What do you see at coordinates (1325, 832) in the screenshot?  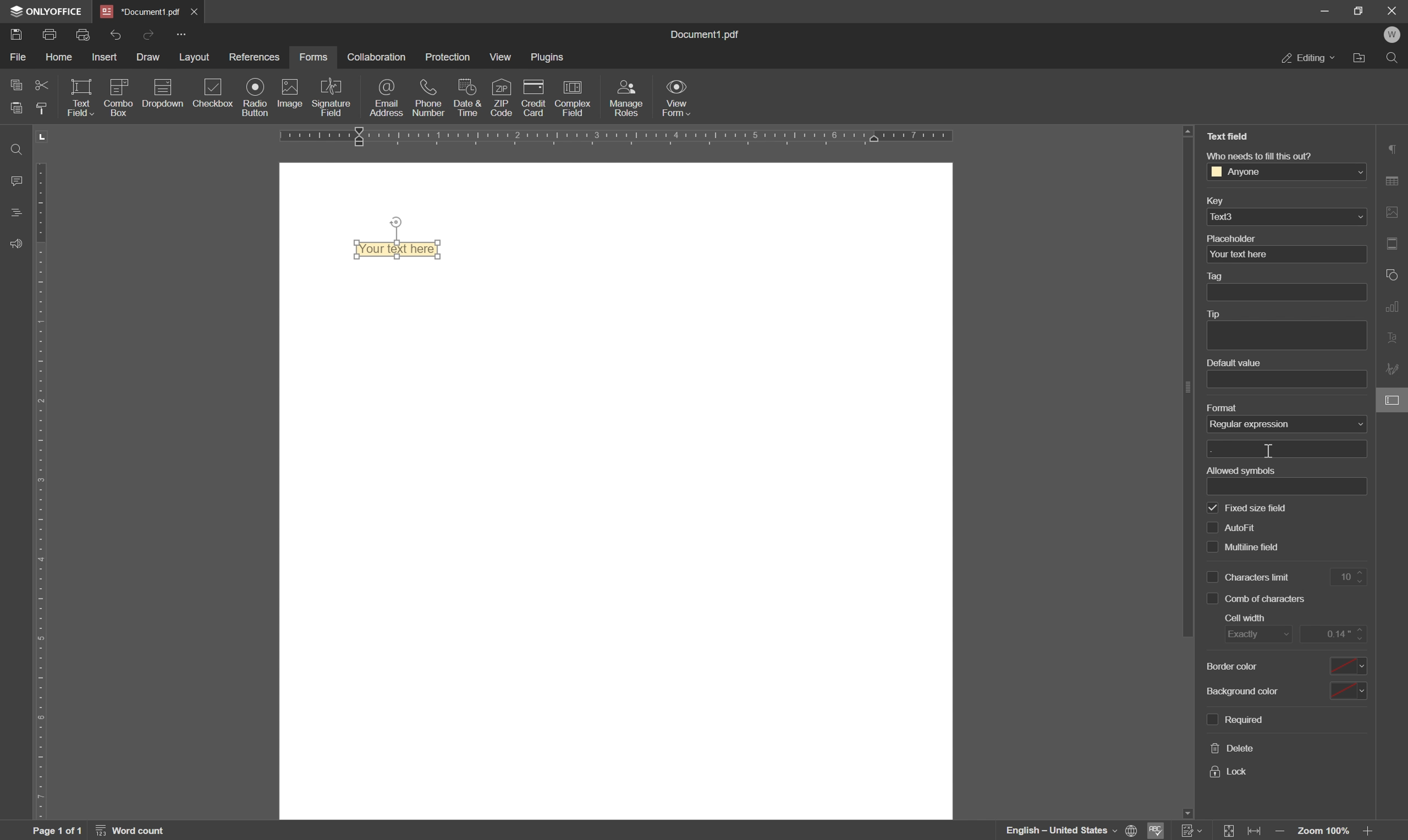 I see `zoom 100%` at bounding box center [1325, 832].